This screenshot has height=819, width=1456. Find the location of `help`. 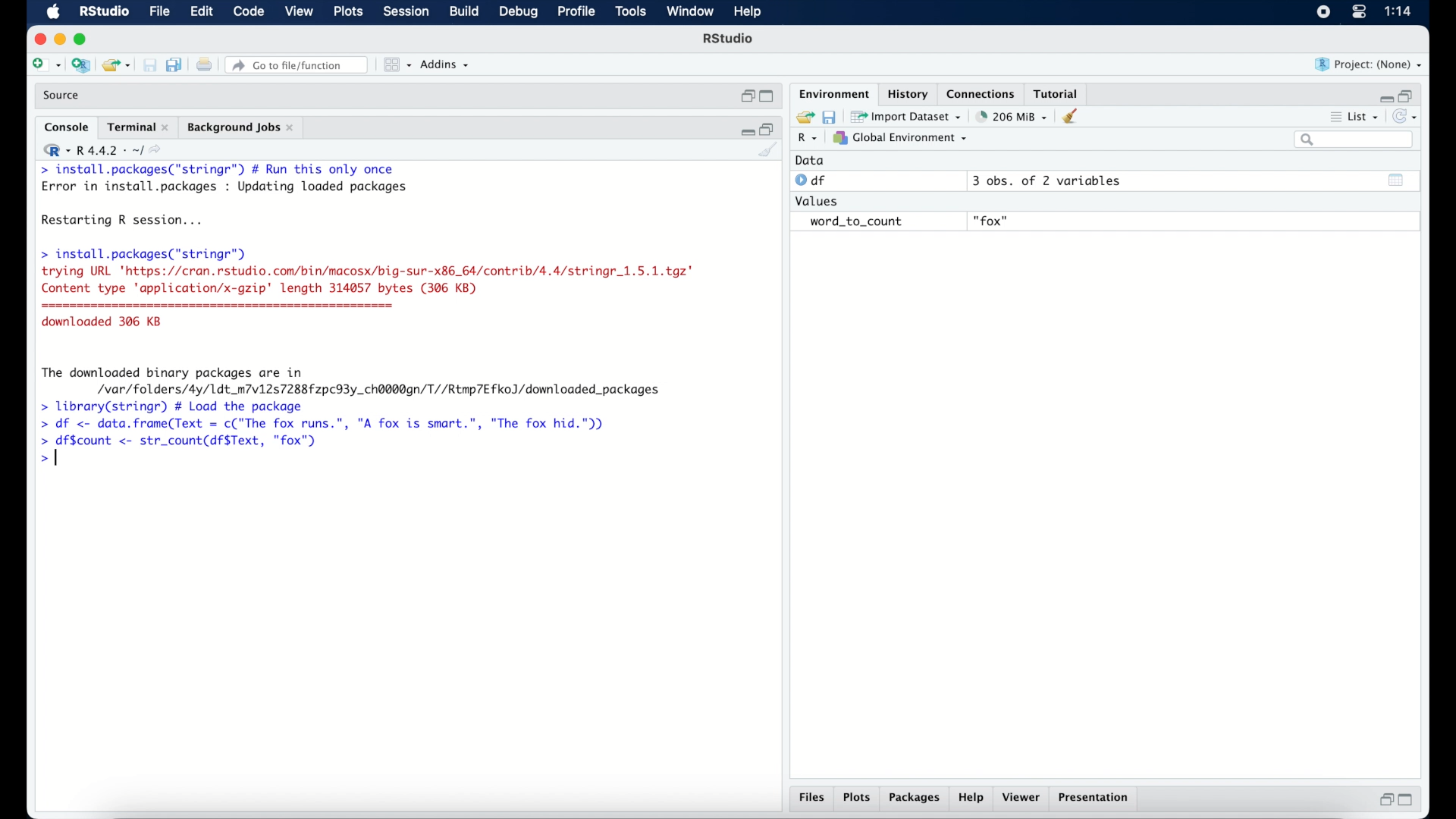

help is located at coordinates (750, 13).